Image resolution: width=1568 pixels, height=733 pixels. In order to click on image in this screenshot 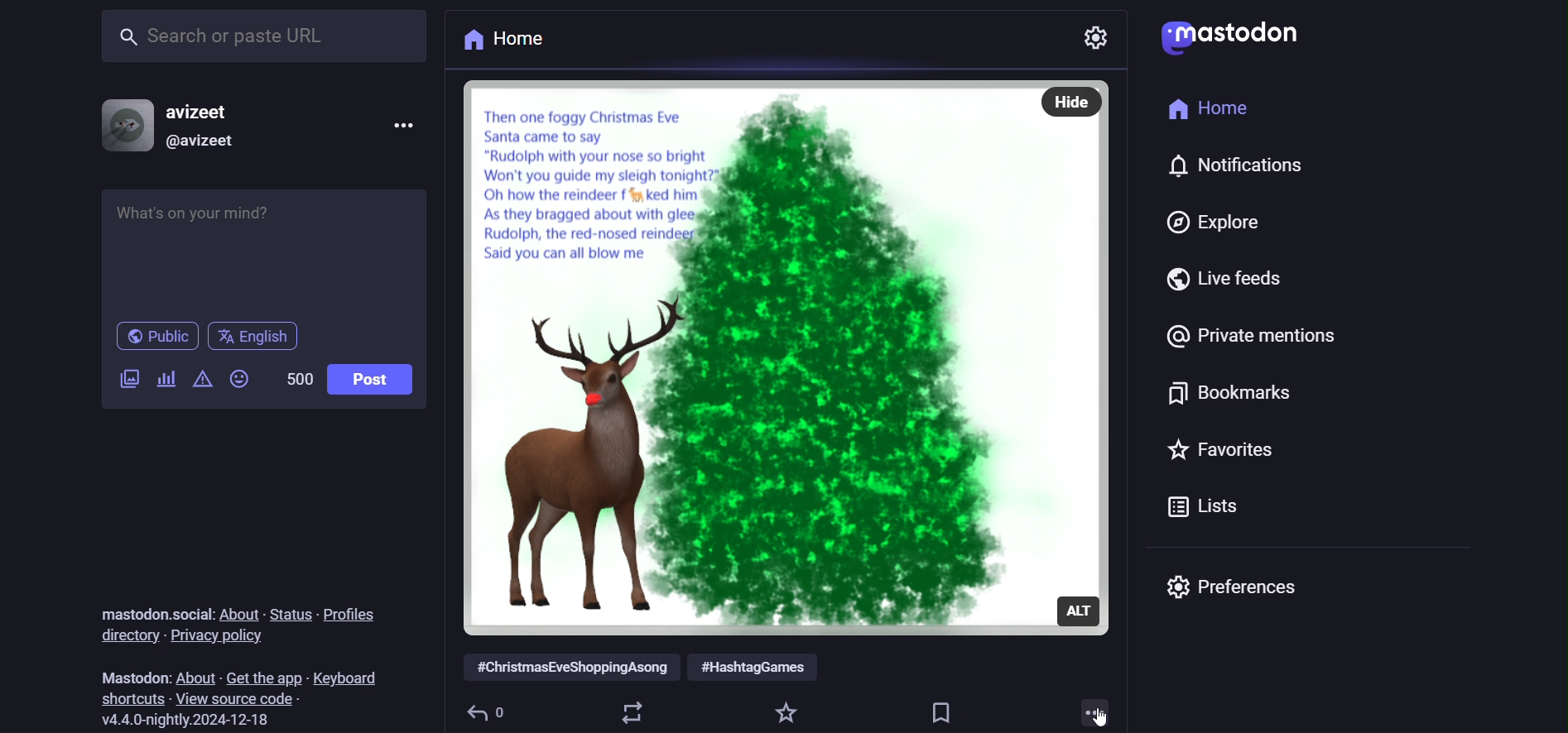, I will do `click(748, 358)`.